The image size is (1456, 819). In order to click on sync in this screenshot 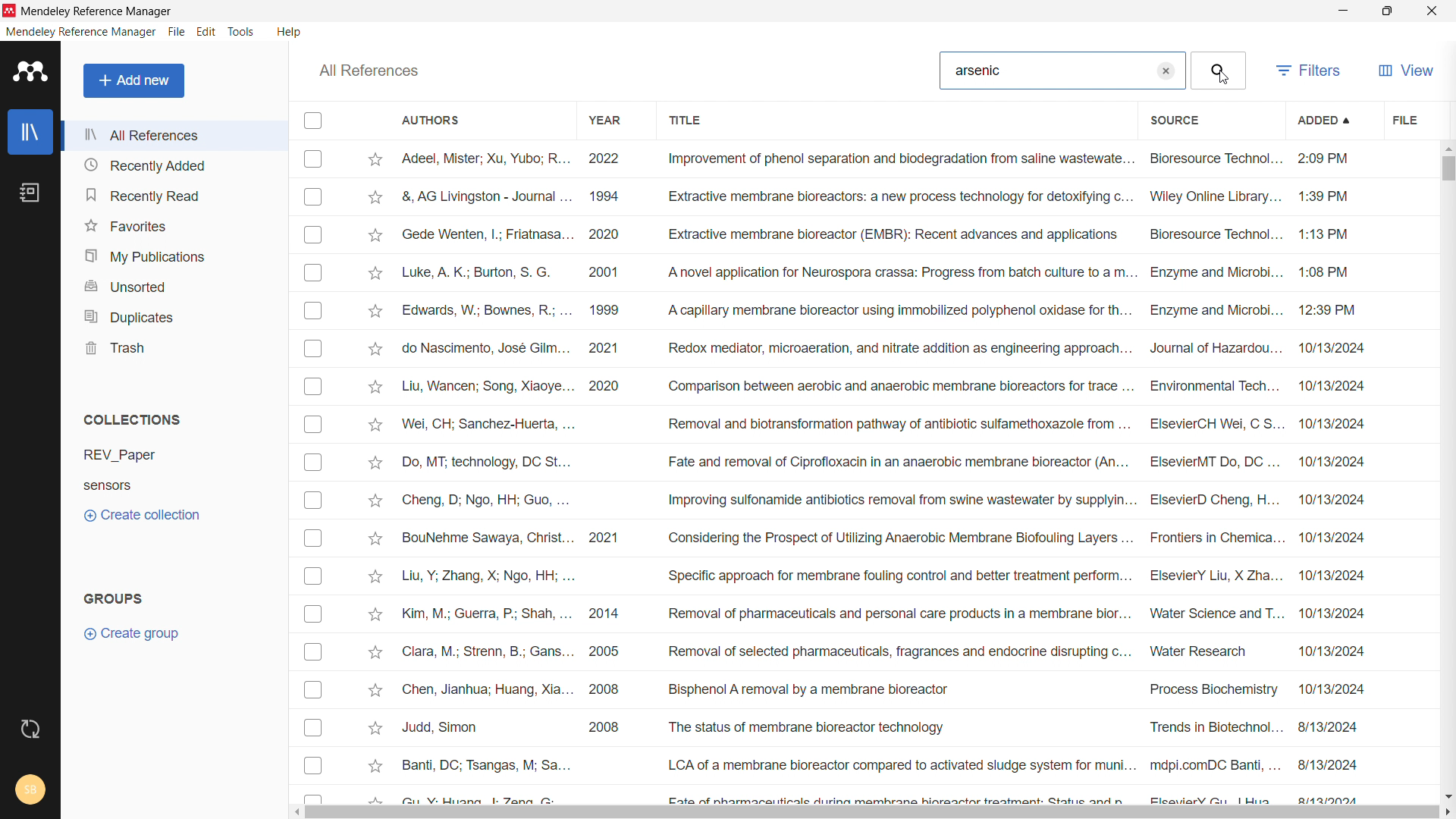, I will do `click(30, 730)`.